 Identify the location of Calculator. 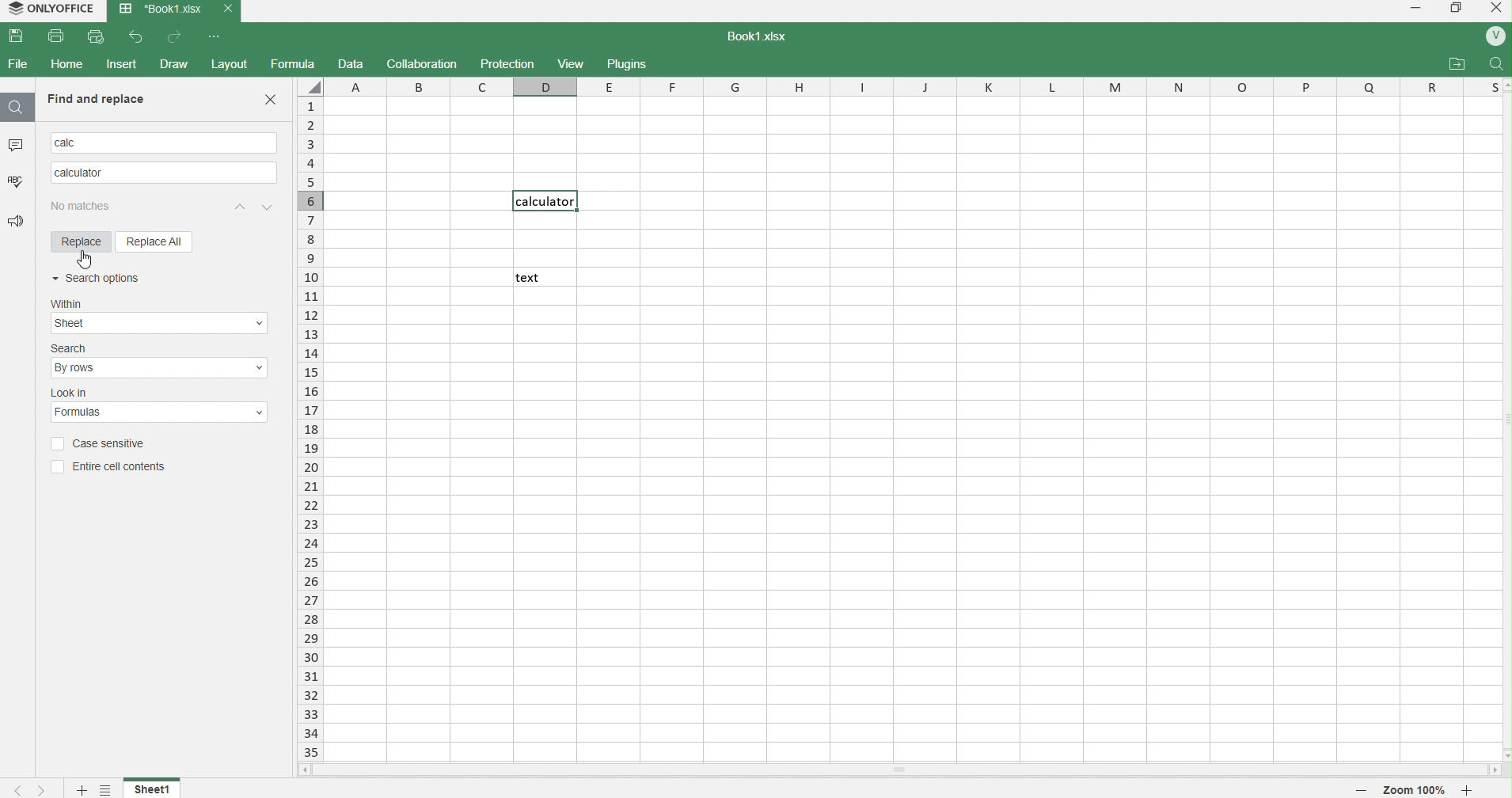
(546, 200).